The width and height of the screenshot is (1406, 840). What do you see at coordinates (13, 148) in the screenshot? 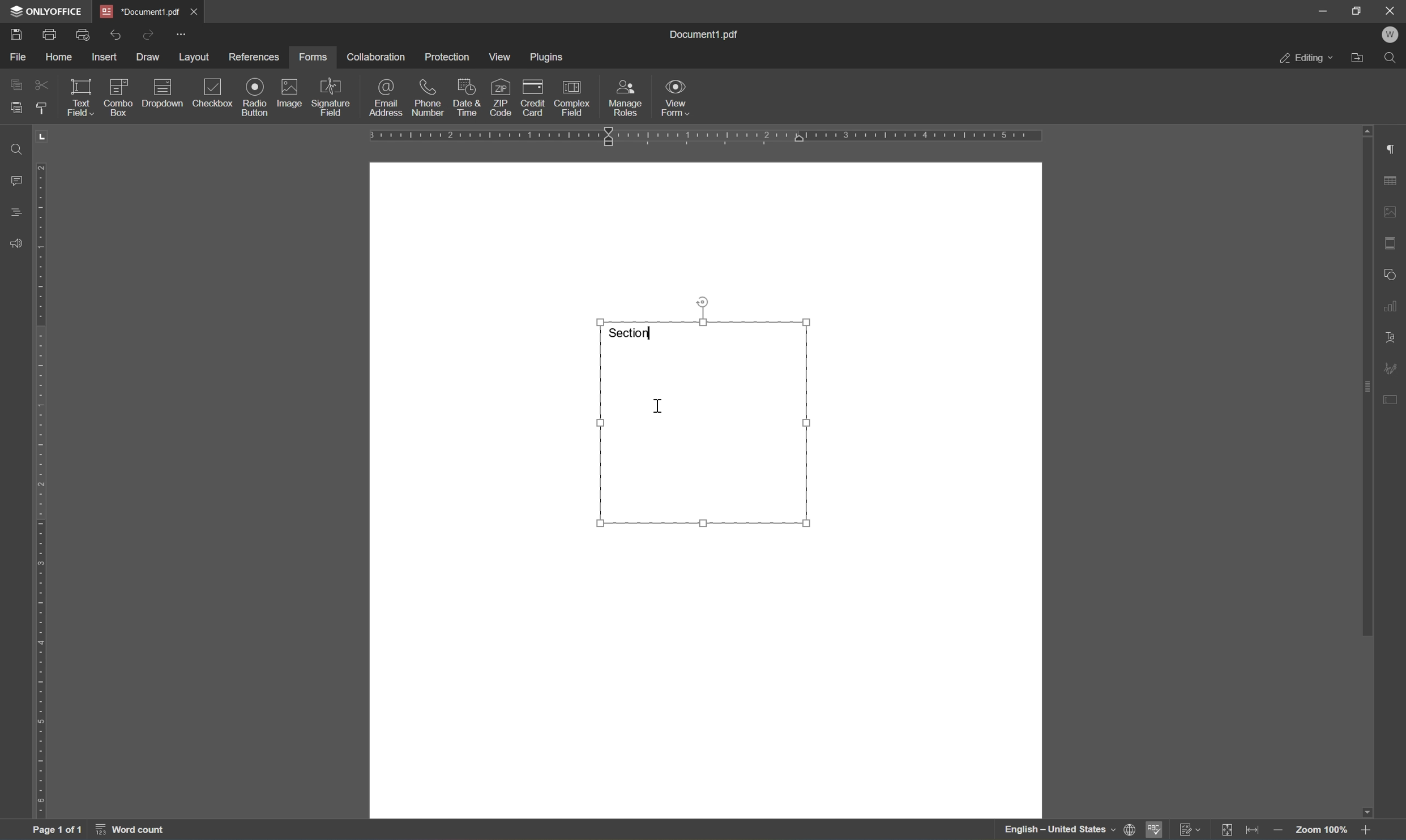
I see `find` at bounding box center [13, 148].